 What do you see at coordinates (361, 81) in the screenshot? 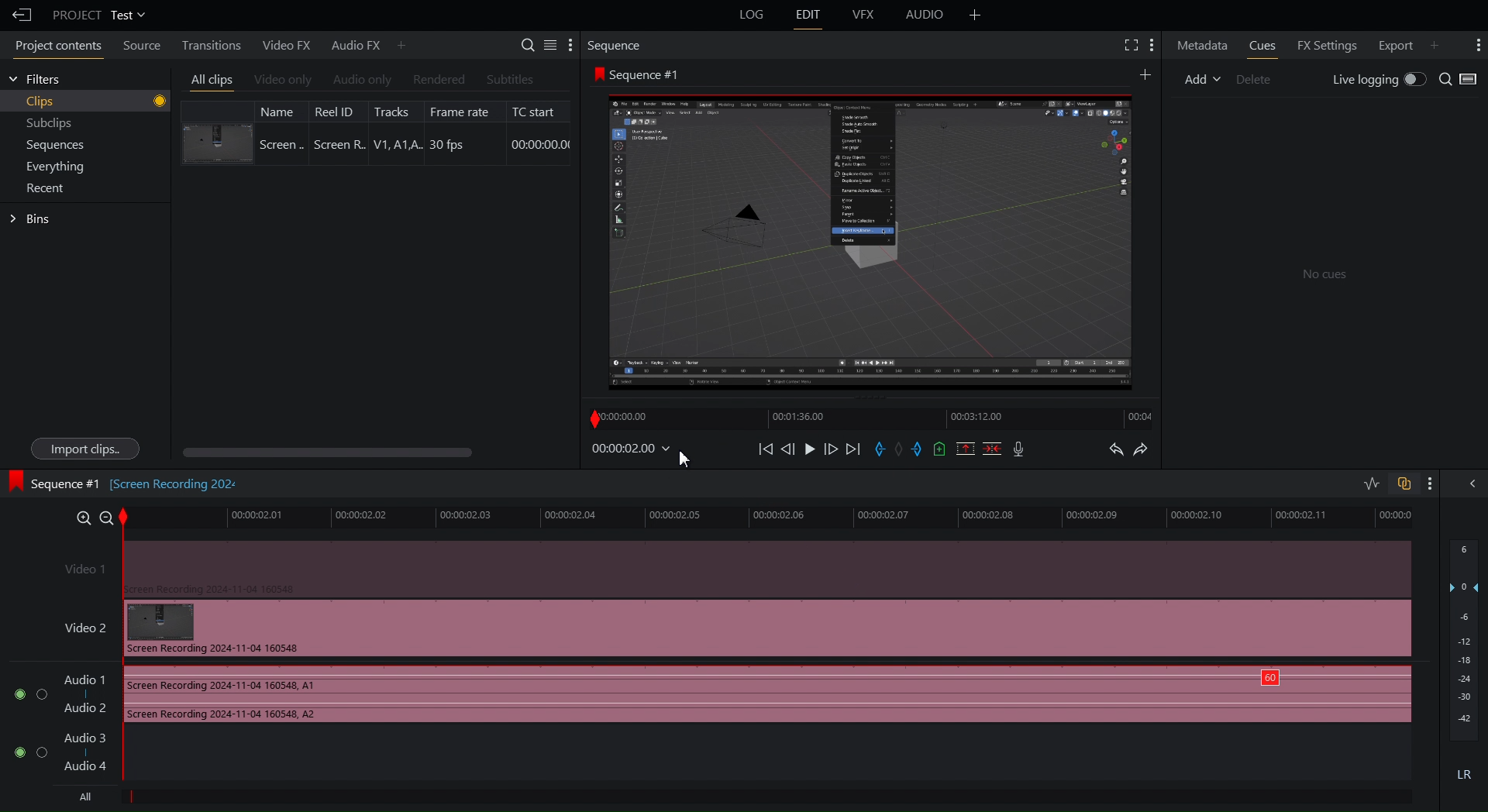
I see `Audio Only` at bounding box center [361, 81].